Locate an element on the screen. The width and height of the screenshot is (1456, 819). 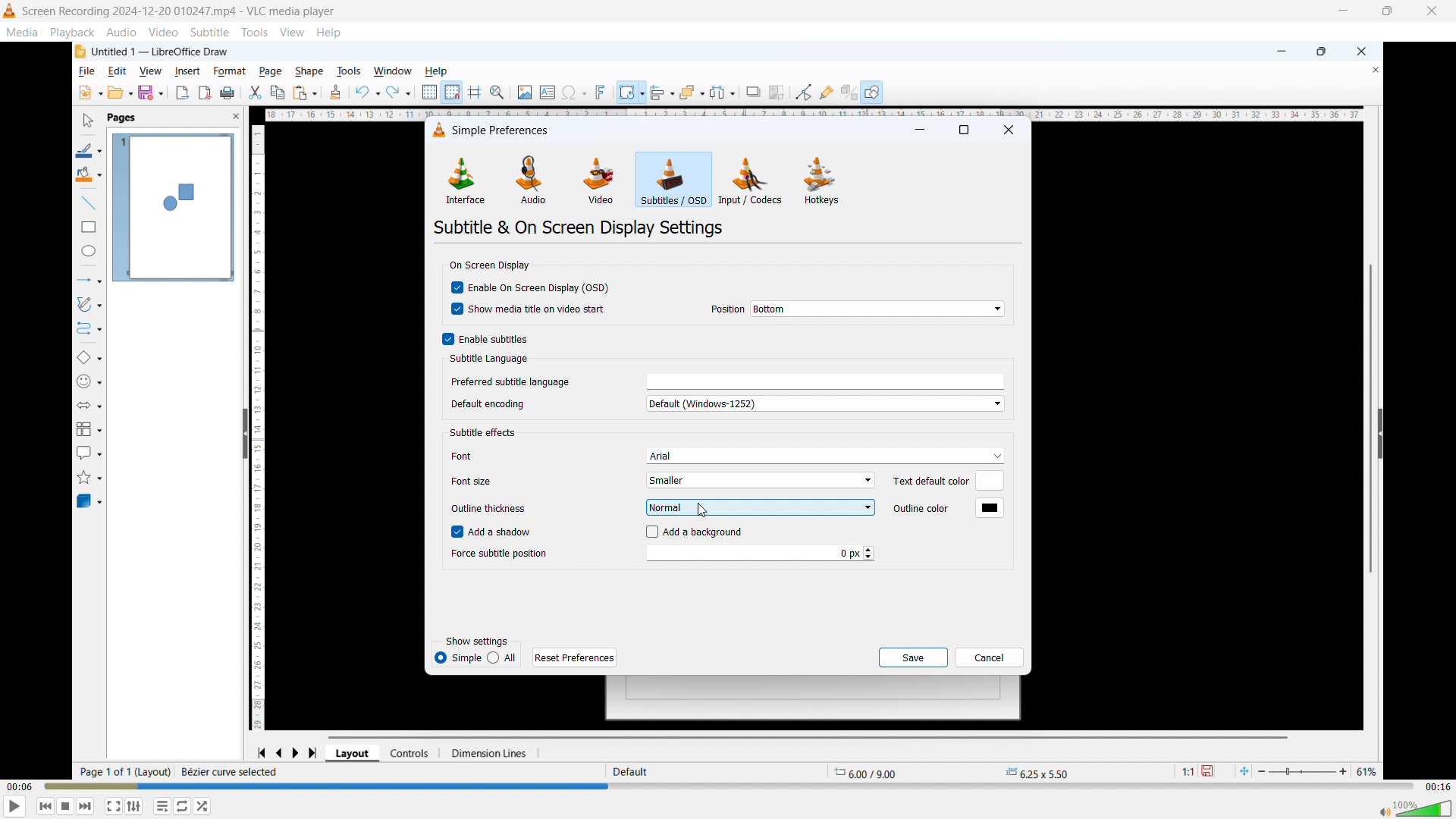
Show advanced settings  is located at coordinates (183, 806).